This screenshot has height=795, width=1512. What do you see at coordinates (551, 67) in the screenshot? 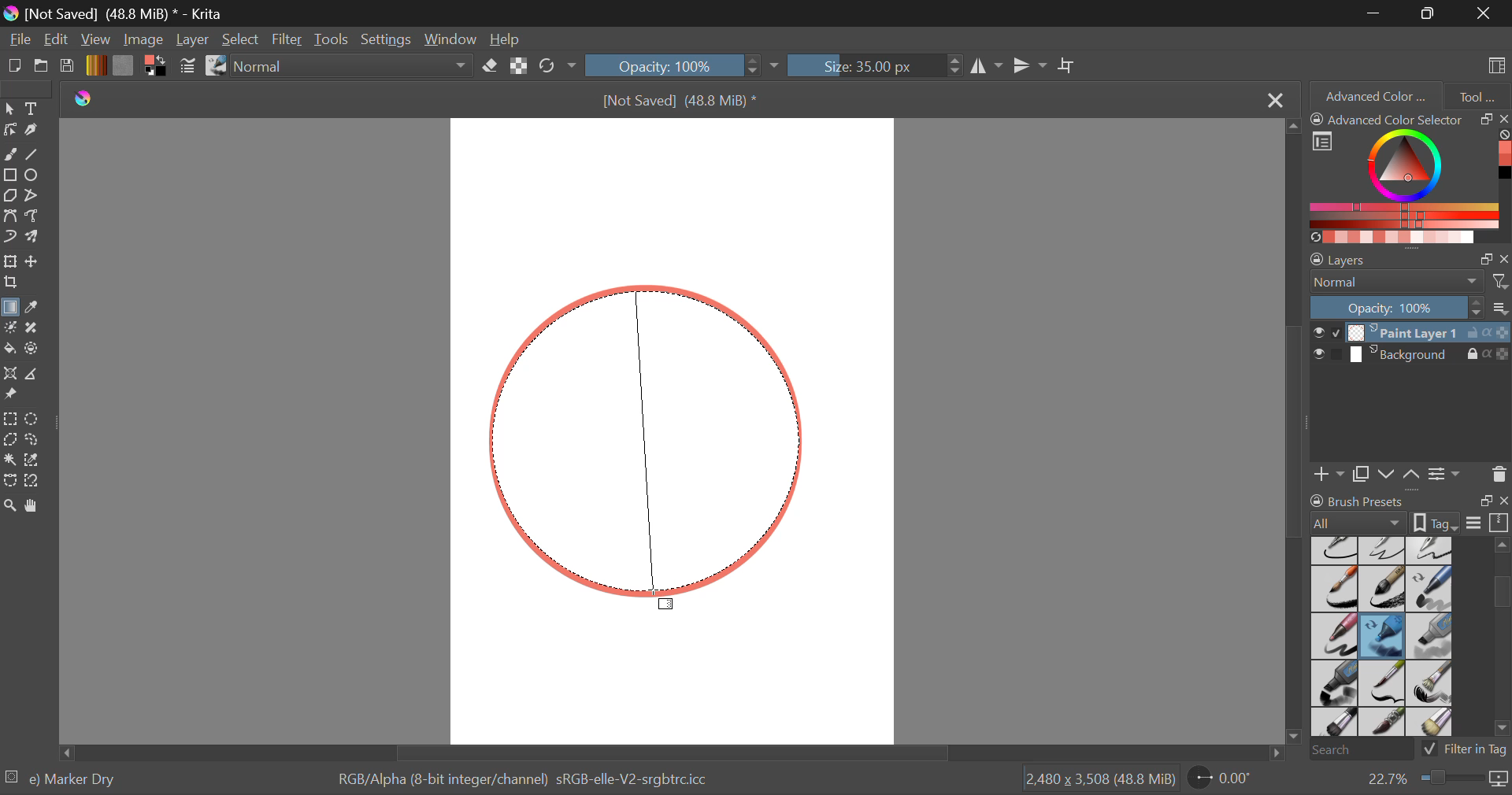
I see `Refresh` at bounding box center [551, 67].